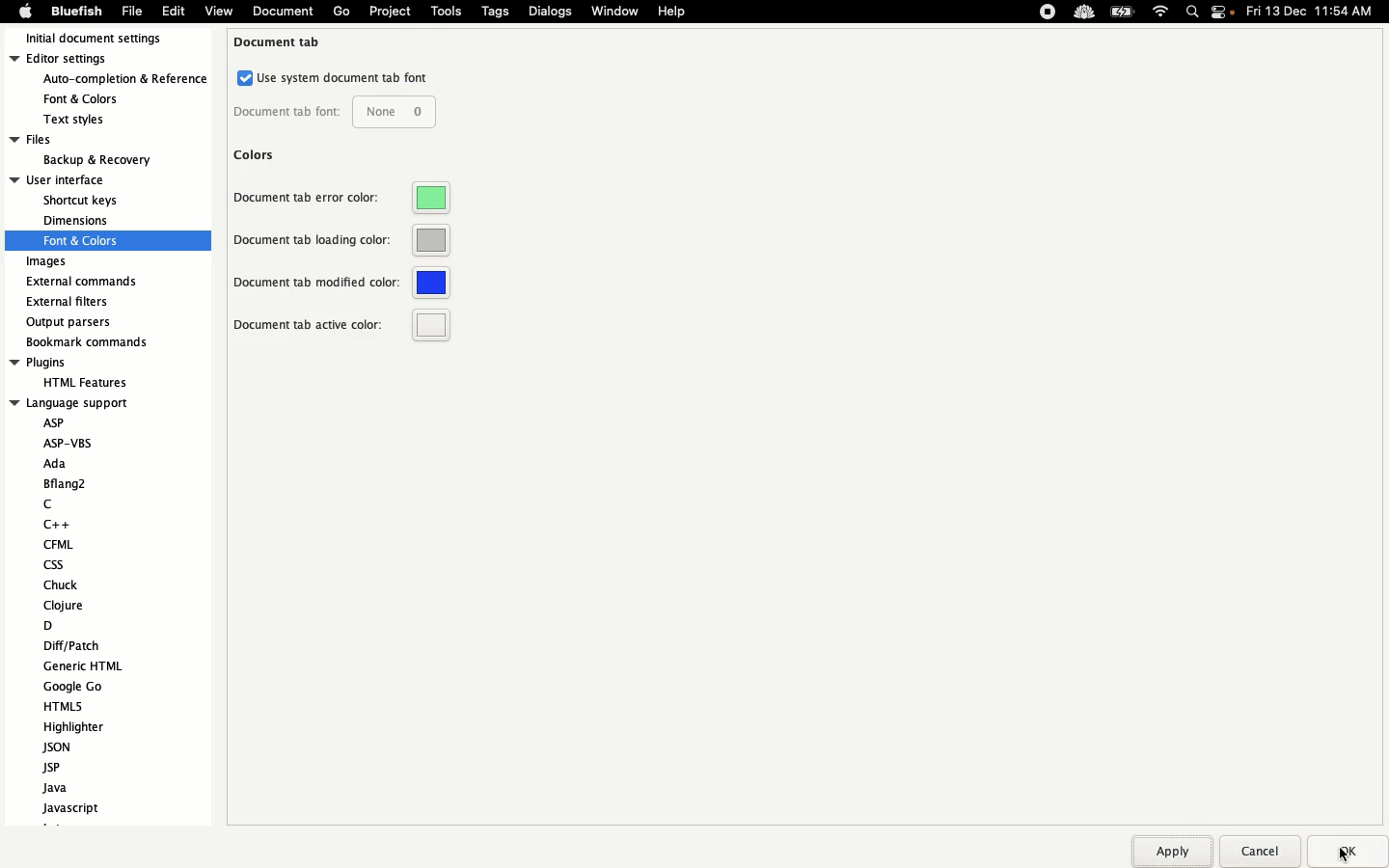 The width and height of the screenshot is (1389, 868). Describe the element at coordinates (497, 11) in the screenshot. I see `Tags` at that location.